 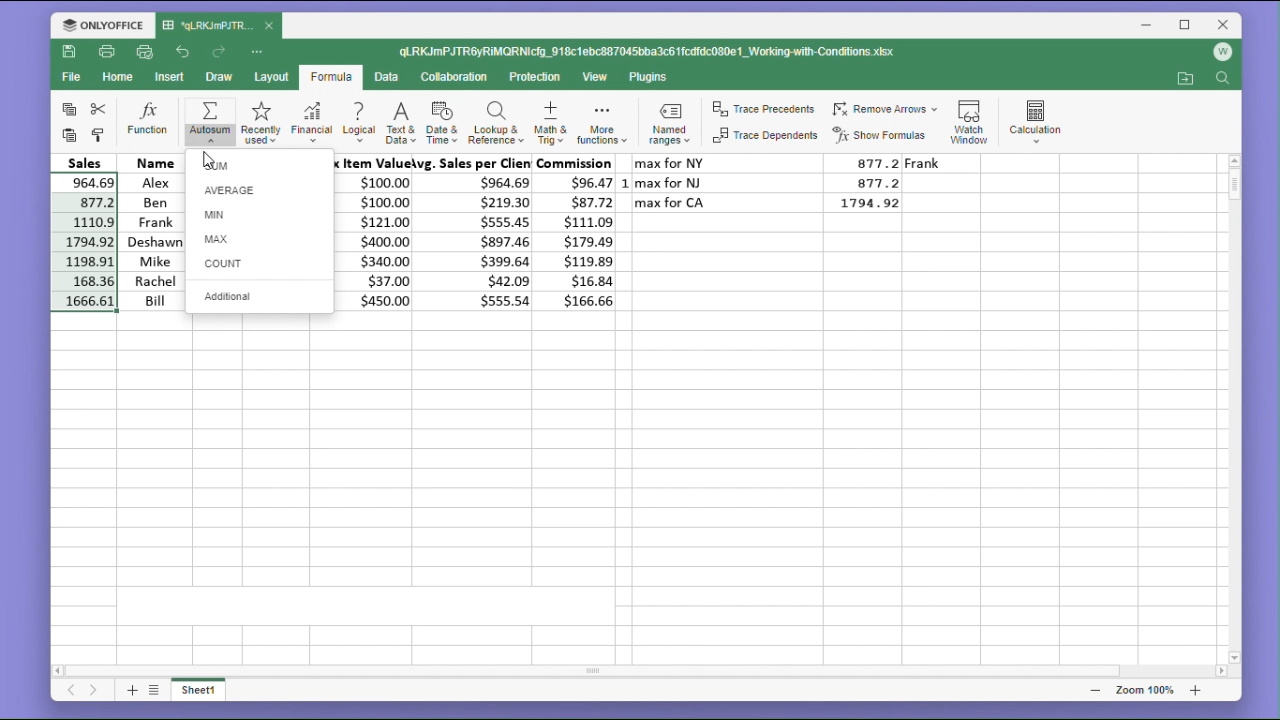 What do you see at coordinates (1235, 657) in the screenshot?
I see `scroll down` at bounding box center [1235, 657].